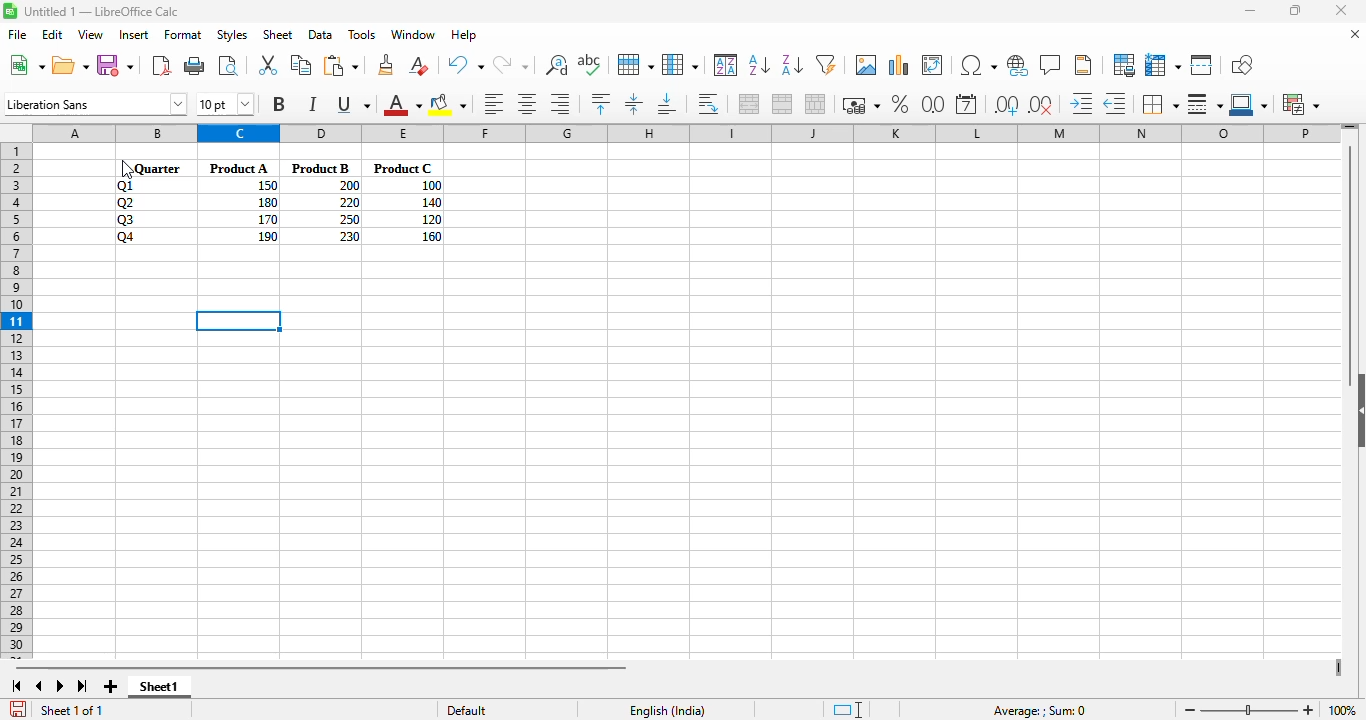 The image size is (1366, 720). Describe the element at coordinates (750, 104) in the screenshot. I see `merge and center or unmerge cells depending on the current toggle state` at that location.